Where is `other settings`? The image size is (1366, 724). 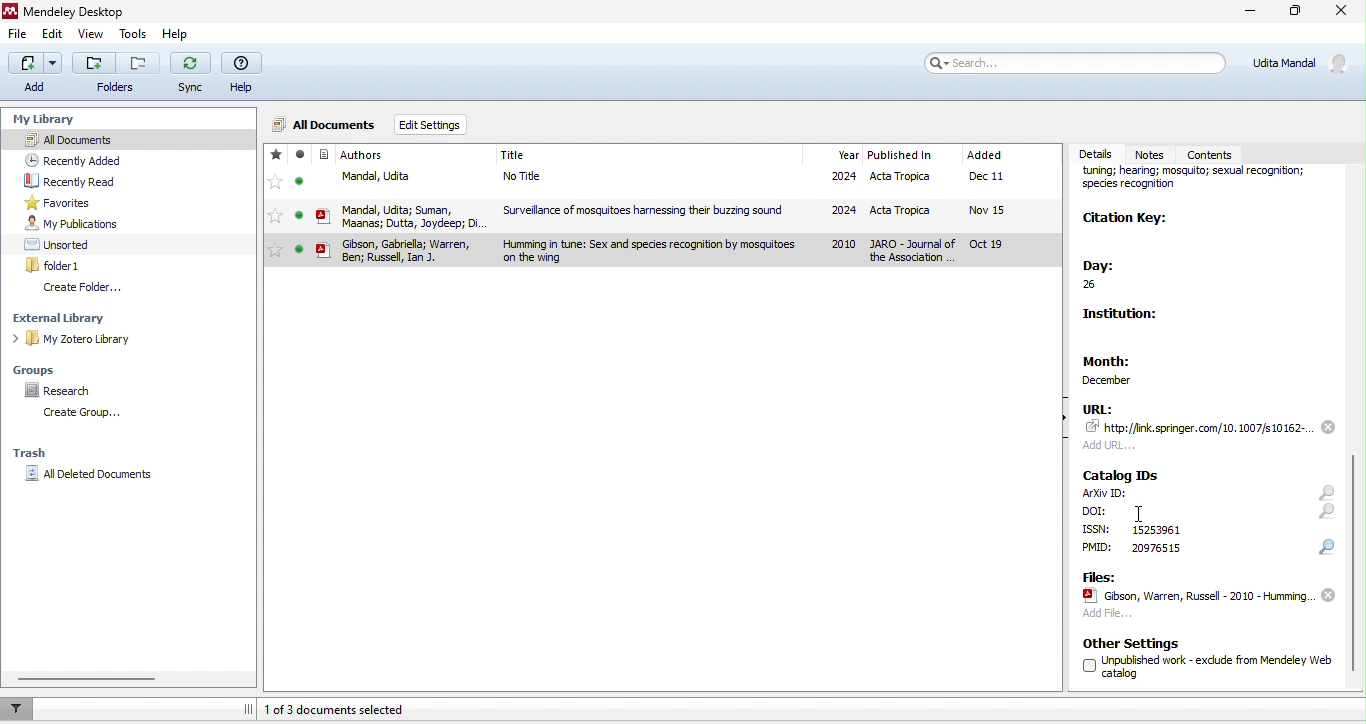 other settings is located at coordinates (1133, 643).